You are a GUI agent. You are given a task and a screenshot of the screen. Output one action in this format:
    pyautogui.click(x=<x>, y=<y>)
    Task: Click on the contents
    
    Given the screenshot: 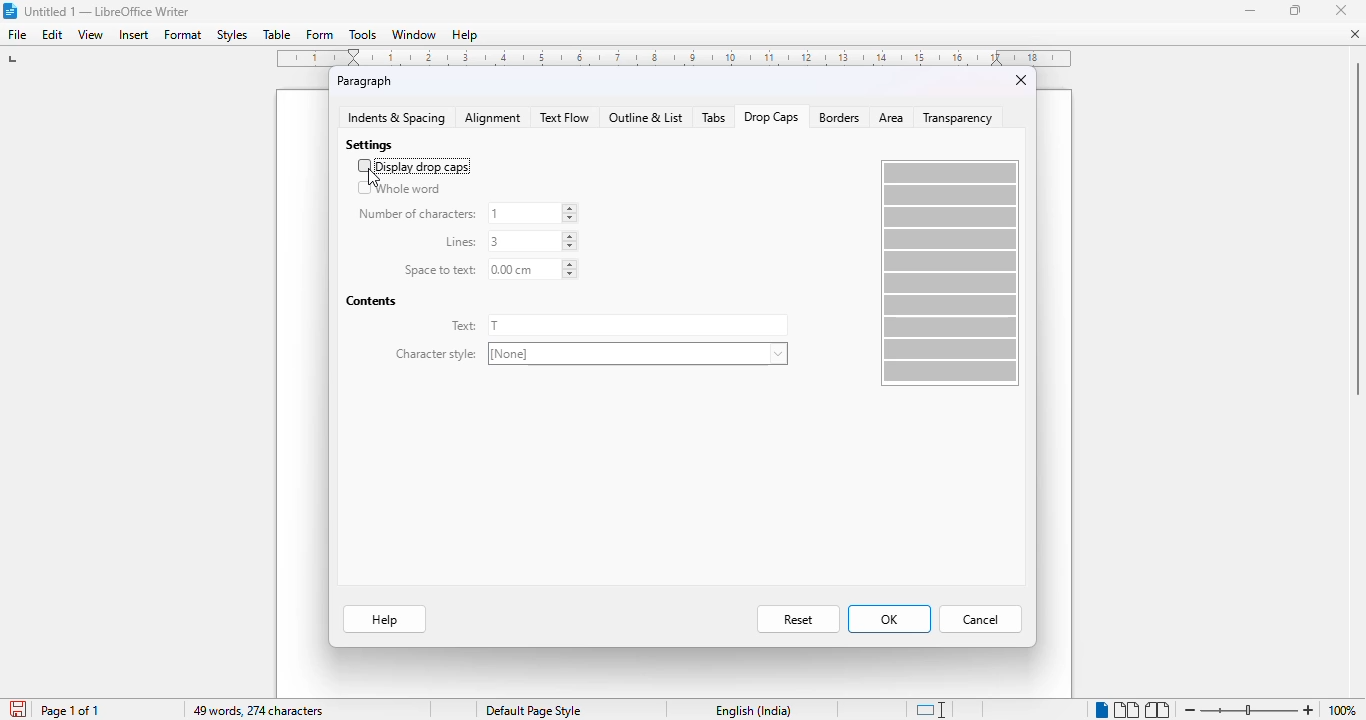 What is the action you would take?
    pyautogui.click(x=371, y=302)
    